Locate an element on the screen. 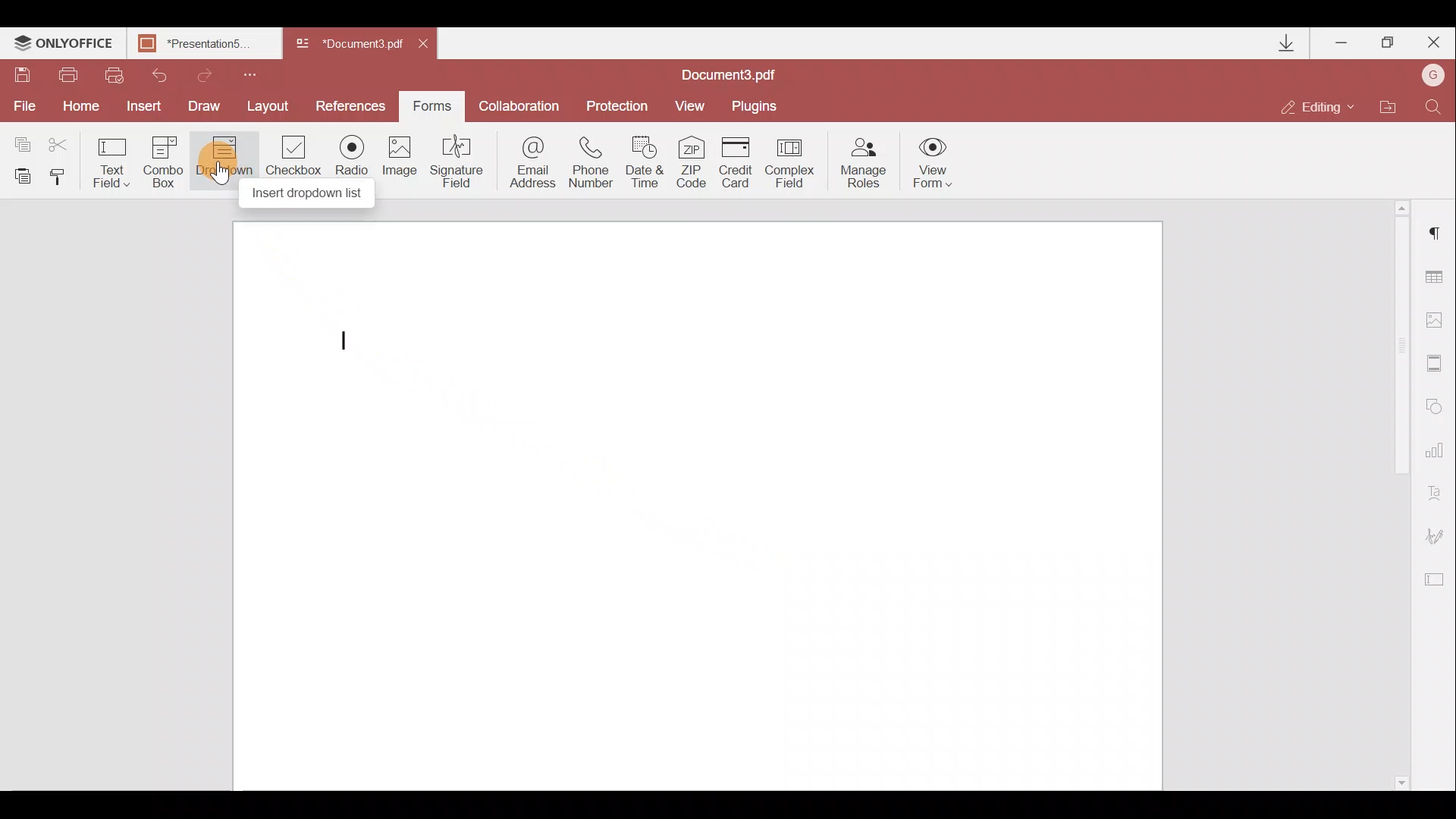  Redo is located at coordinates (206, 74).